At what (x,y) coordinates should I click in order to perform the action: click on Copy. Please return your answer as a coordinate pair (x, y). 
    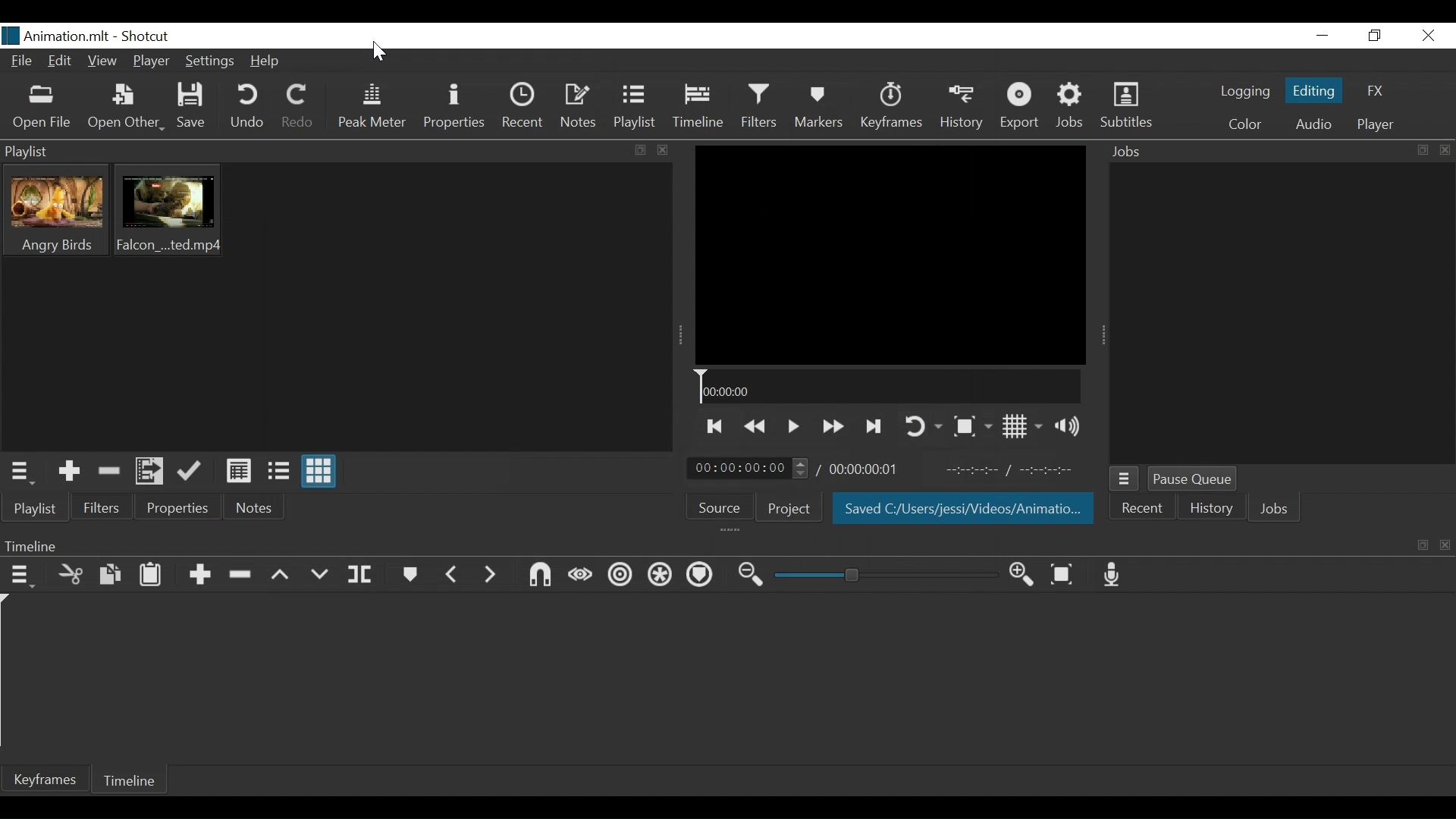
    Looking at the image, I should click on (113, 575).